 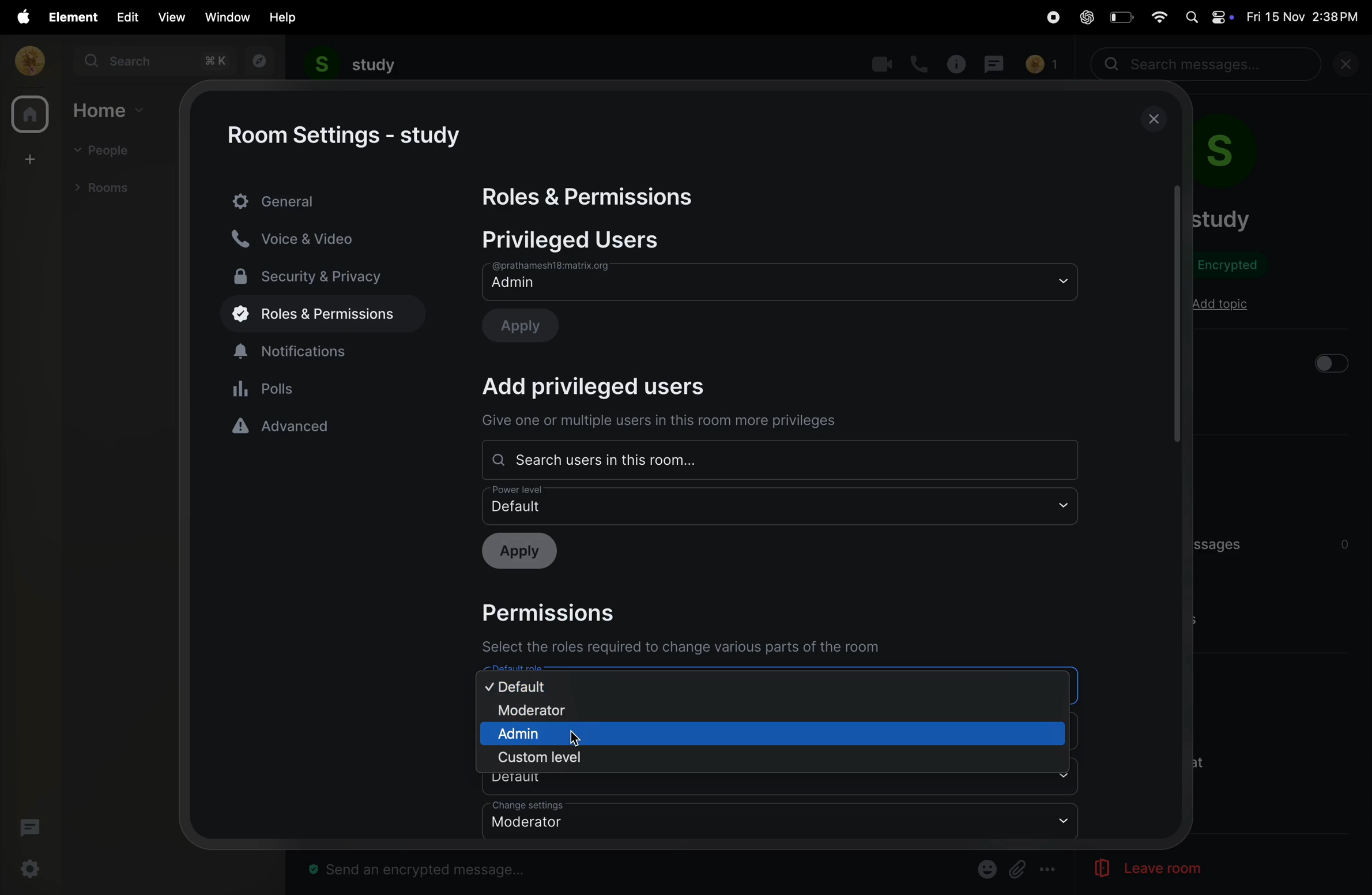 I want to click on select the roles, so click(x=685, y=648).